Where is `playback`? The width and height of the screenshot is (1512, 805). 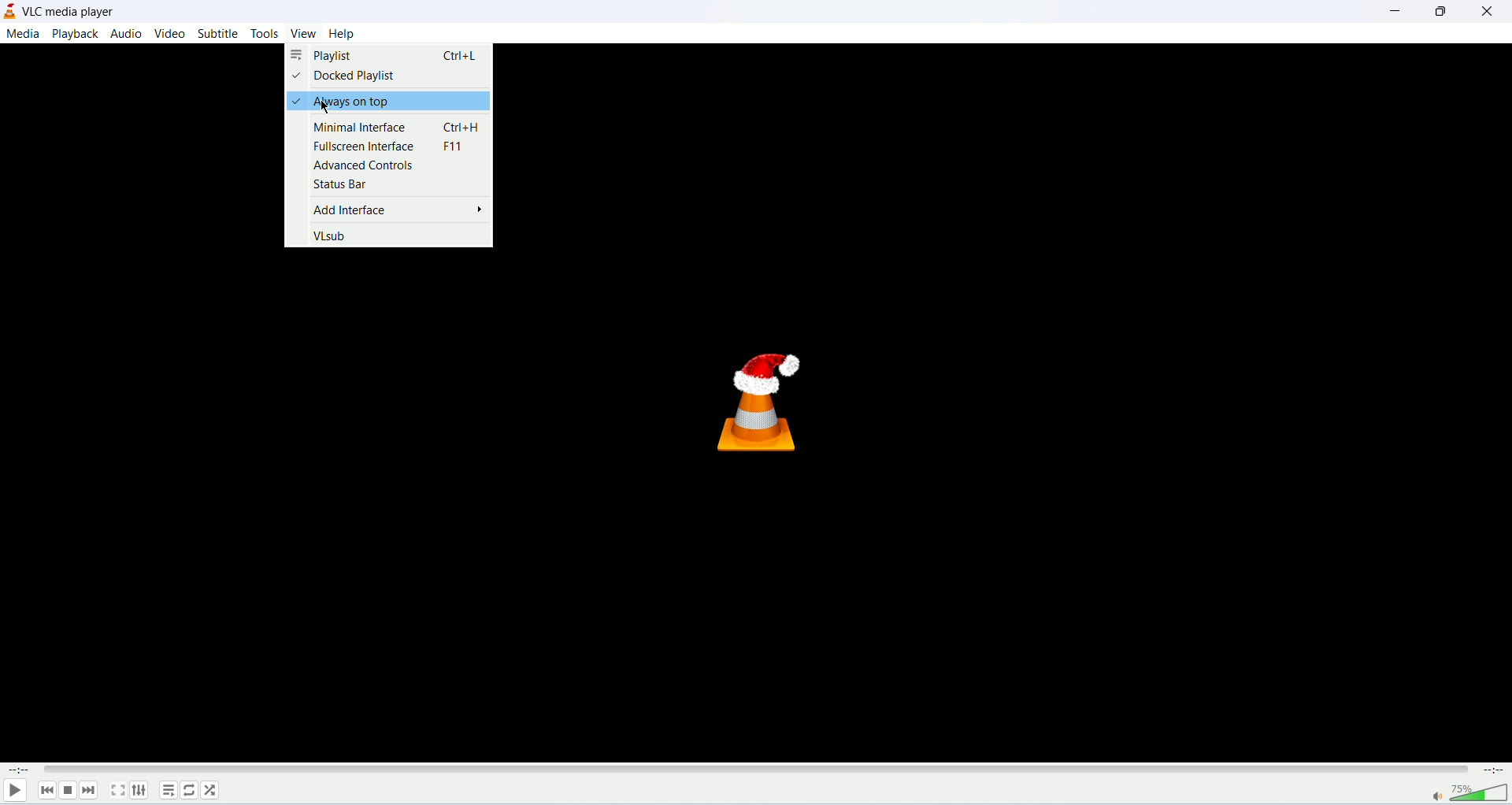 playback is located at coordinates (76, 34).